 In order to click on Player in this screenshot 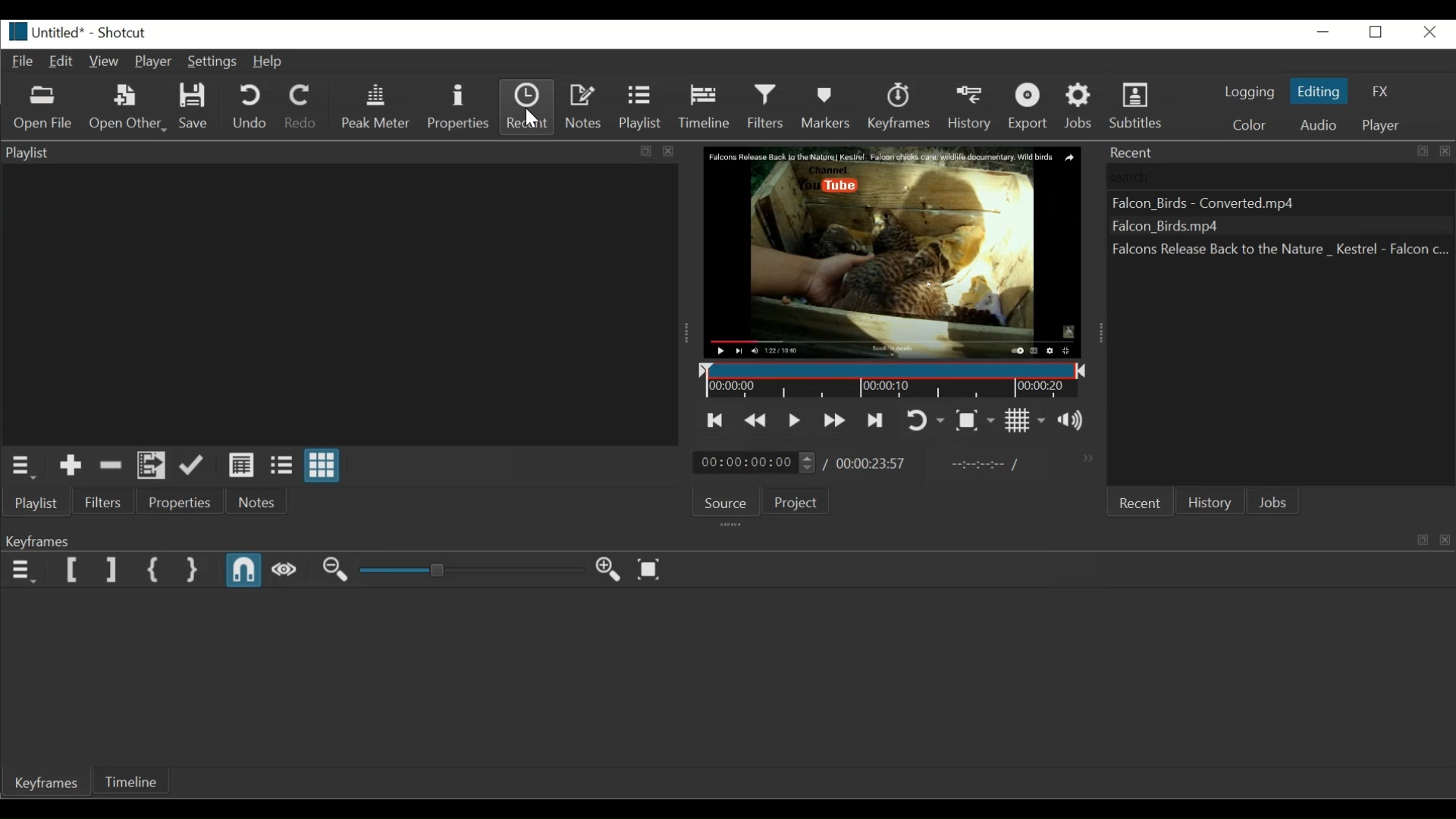, I will do `click(153, 61)`.